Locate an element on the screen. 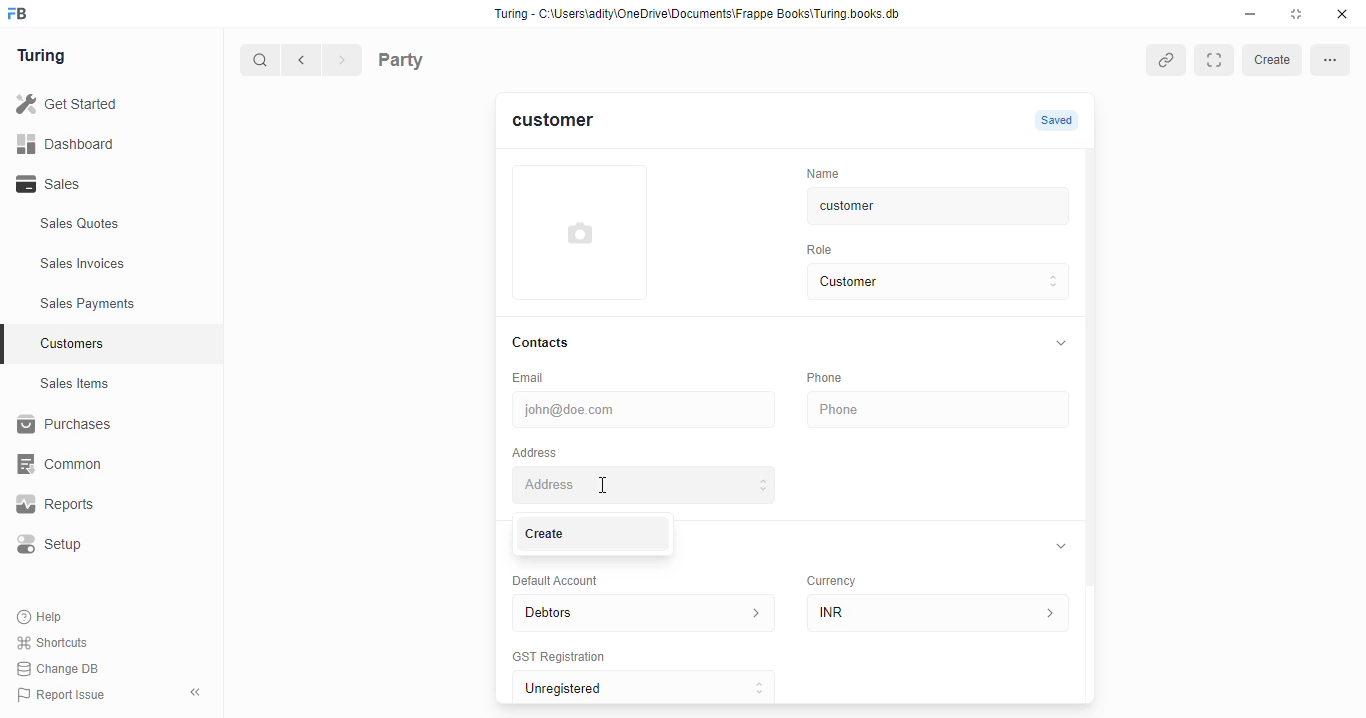  Reports is located at coordinates (91, 505).